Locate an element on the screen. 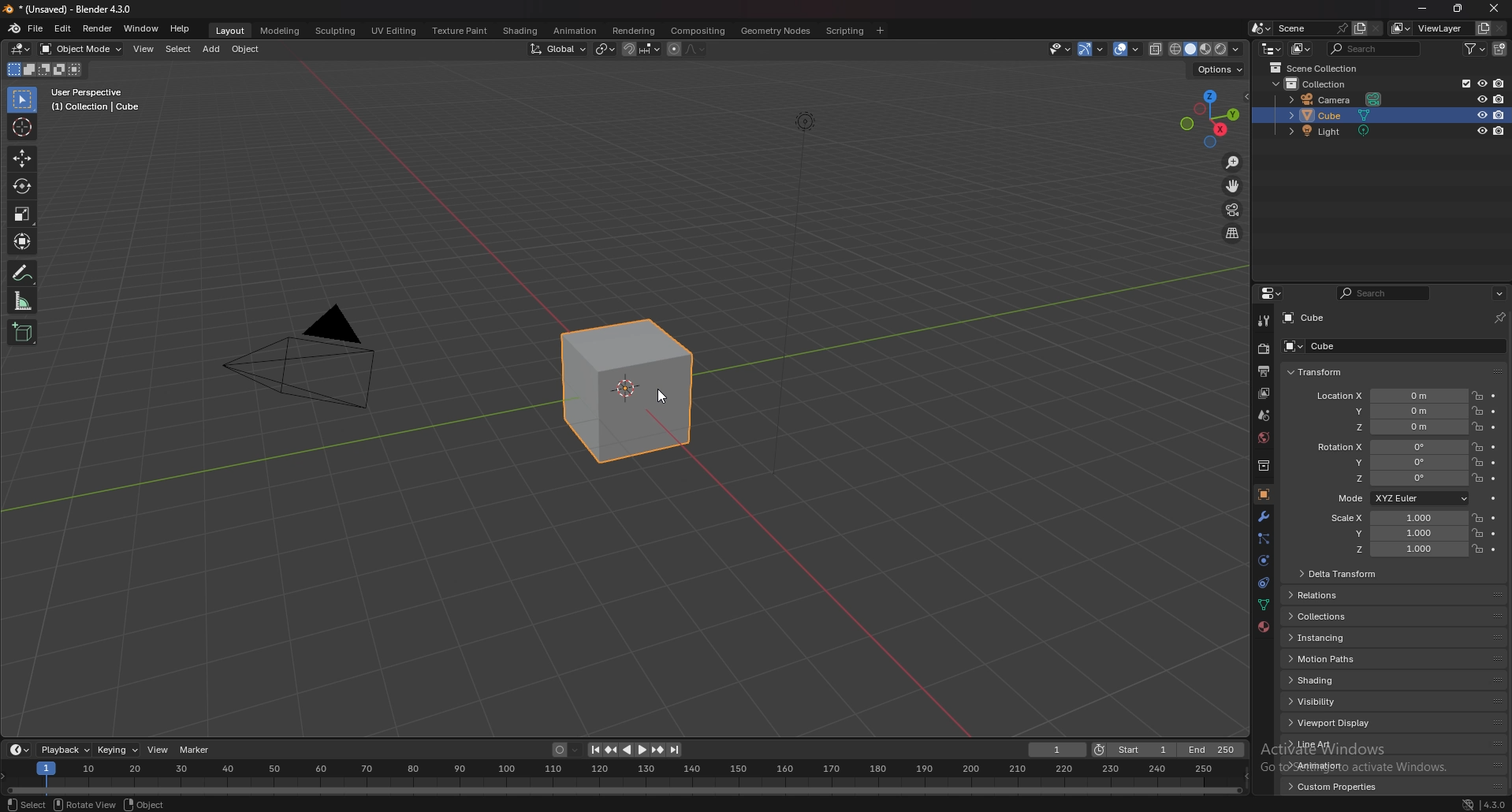  jump to endpoint is located at coordinates (594, 751).